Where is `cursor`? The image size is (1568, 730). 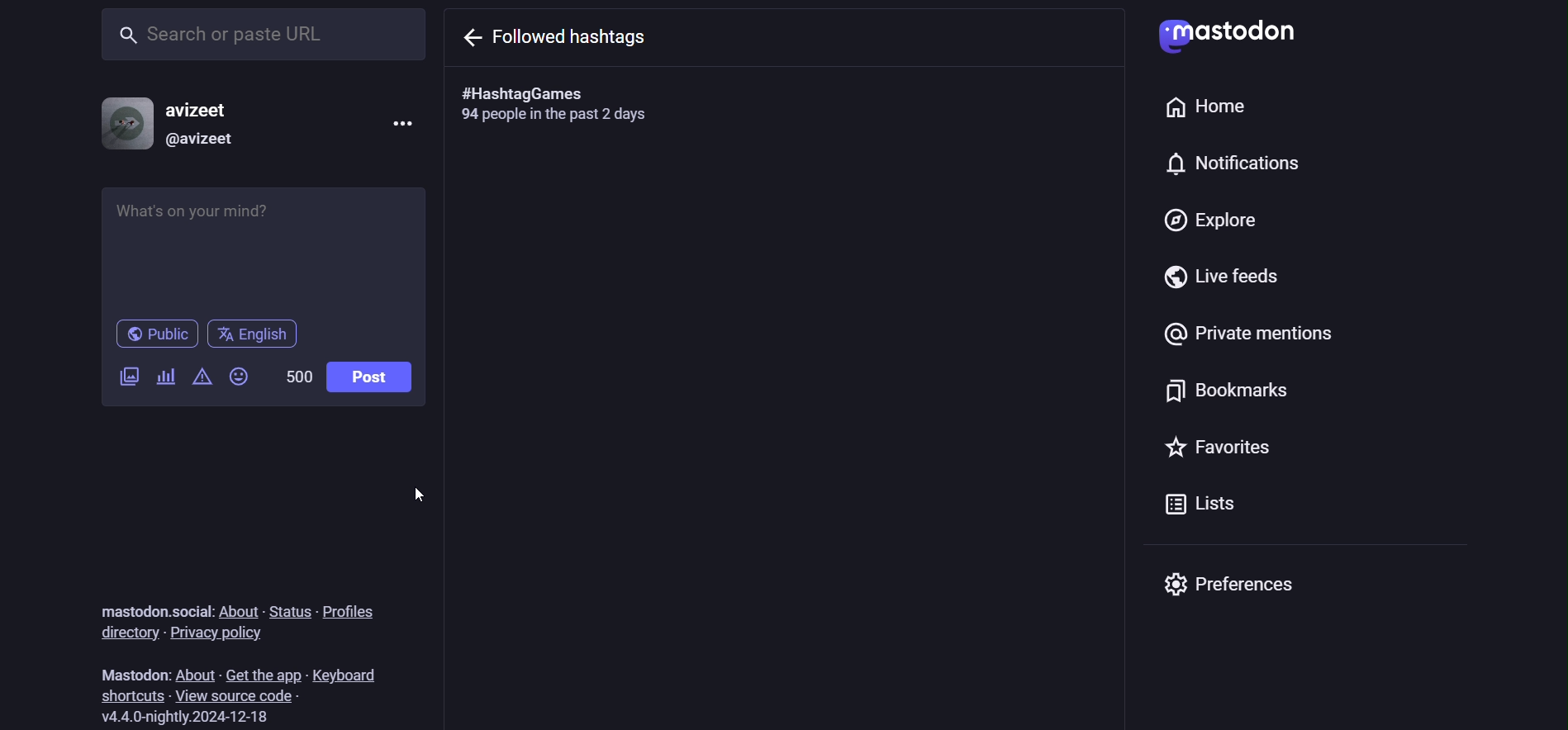
cursor is located at coordinates (423, 497).